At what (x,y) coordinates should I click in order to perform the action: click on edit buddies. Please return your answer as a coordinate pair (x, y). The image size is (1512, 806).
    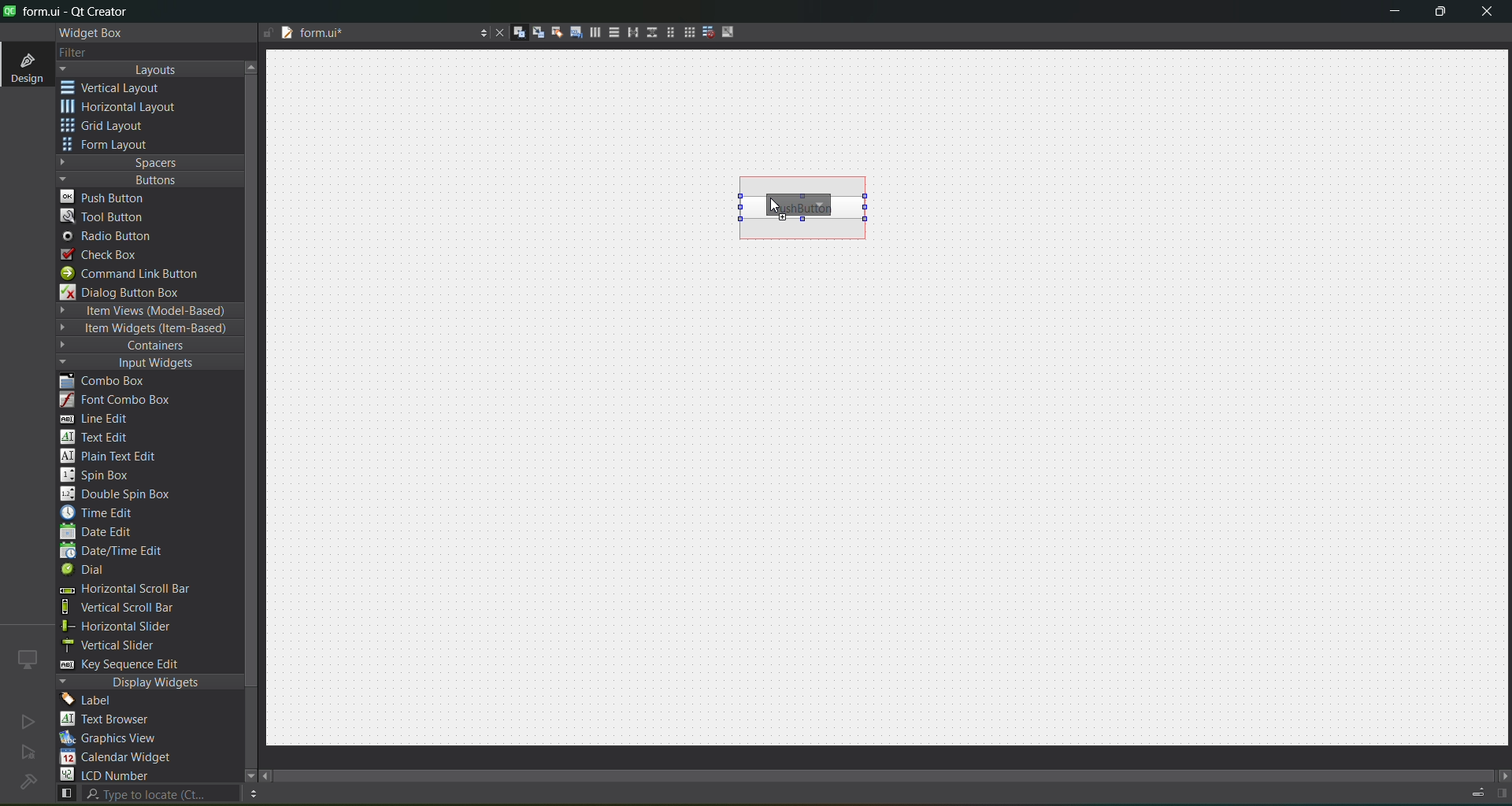
    Looking at the image, I should click on (551, 32).